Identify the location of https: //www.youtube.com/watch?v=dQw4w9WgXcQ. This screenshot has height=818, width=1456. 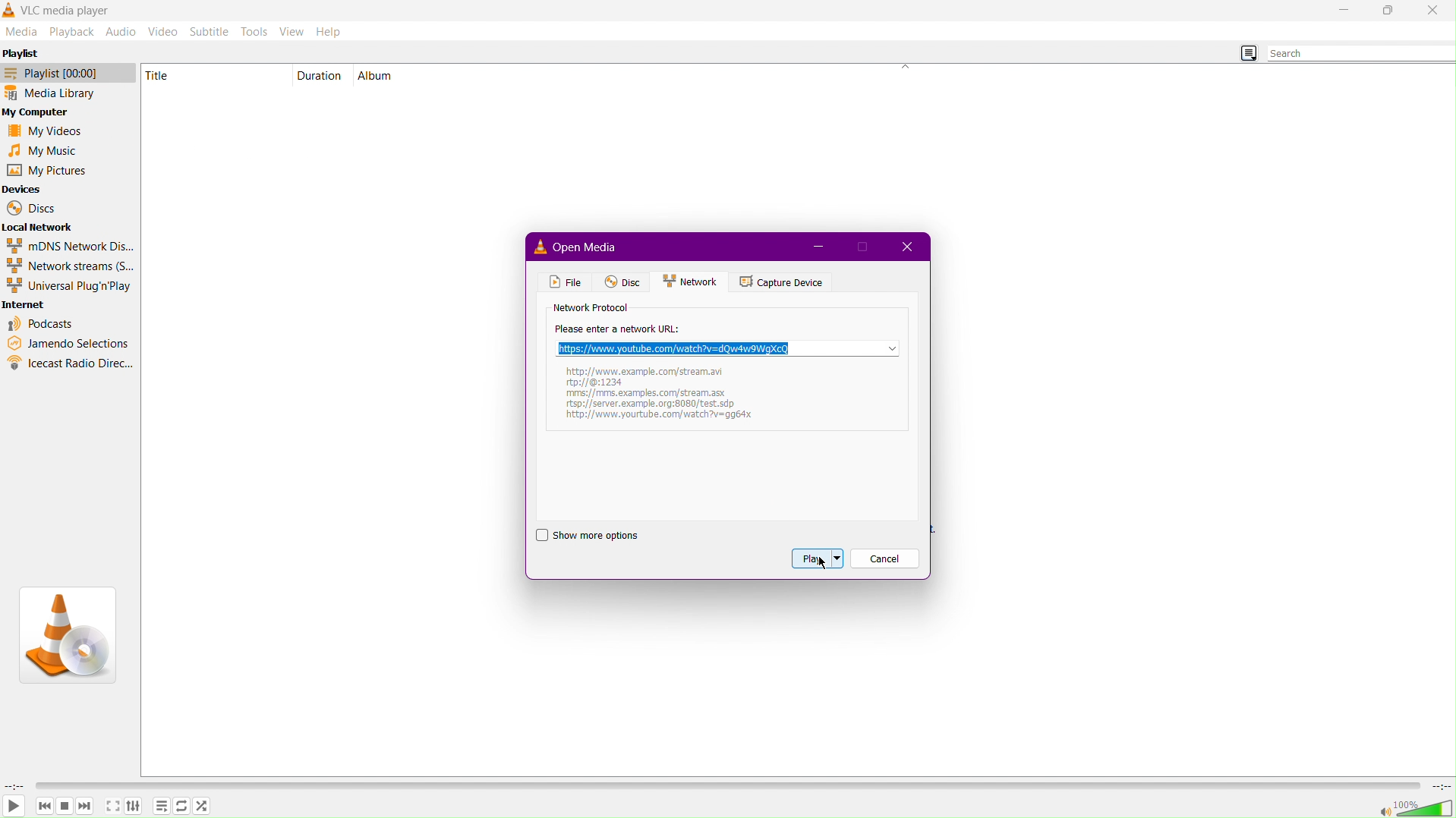
(728, 348).